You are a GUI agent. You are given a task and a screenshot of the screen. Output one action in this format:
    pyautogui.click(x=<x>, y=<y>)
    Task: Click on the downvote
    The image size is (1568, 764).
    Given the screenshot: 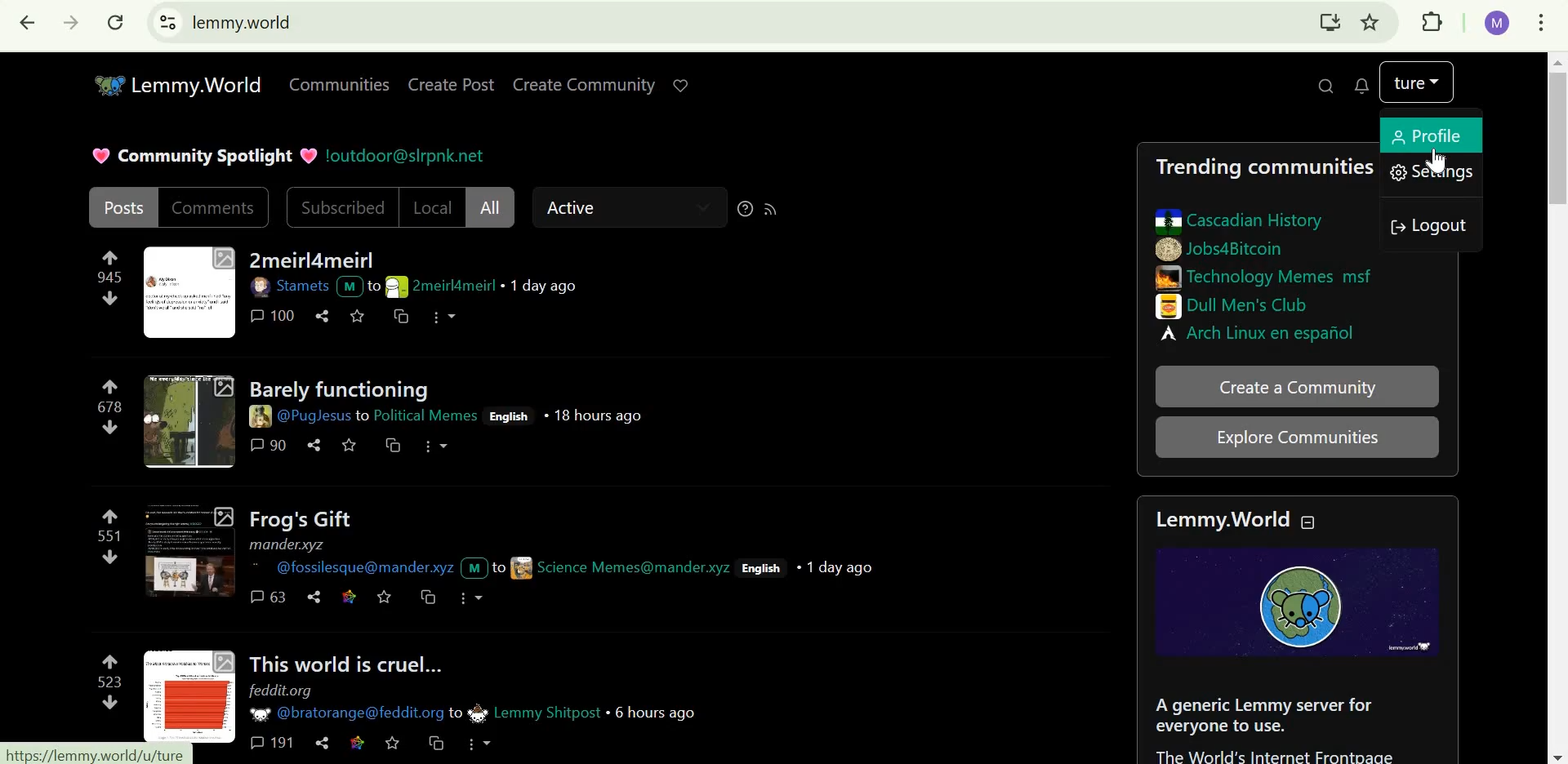 What is the action you would take?
    pyautogui.click(x=111, y=427)
    